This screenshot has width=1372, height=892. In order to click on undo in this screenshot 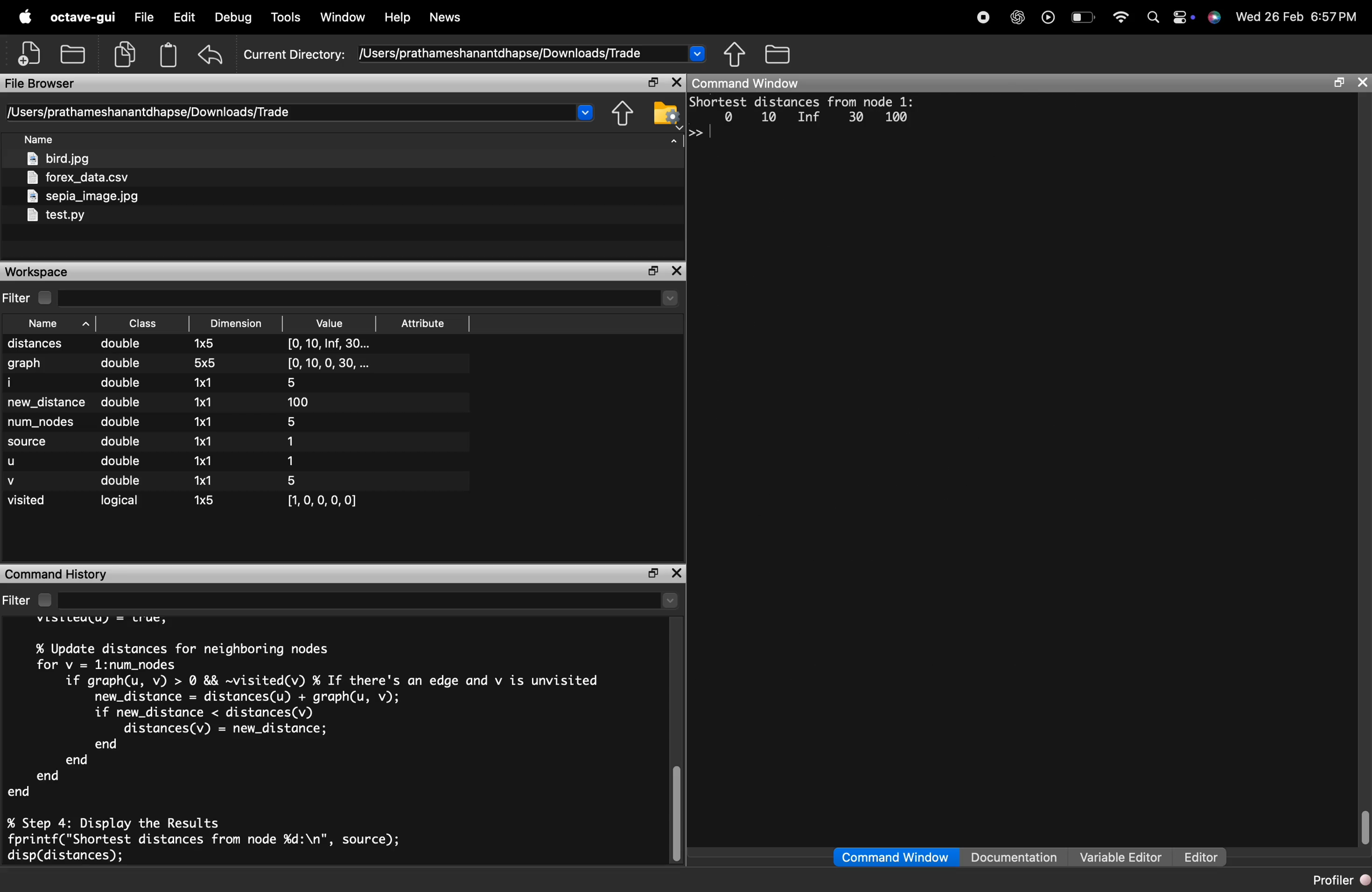, I will do `click(211, 54)`.